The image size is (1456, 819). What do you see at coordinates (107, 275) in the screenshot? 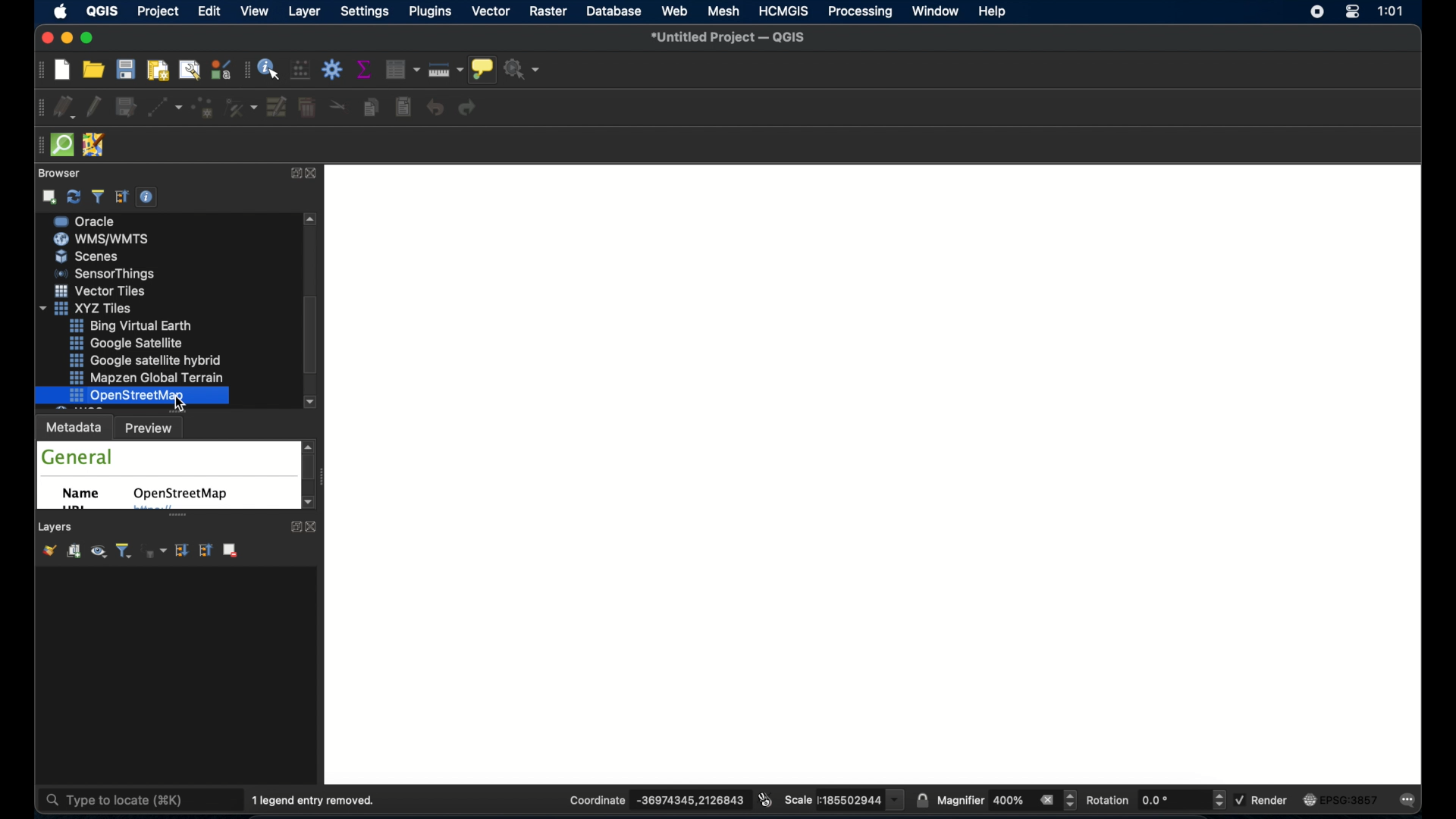
I see `oracle` at bounding box center [107, 275].